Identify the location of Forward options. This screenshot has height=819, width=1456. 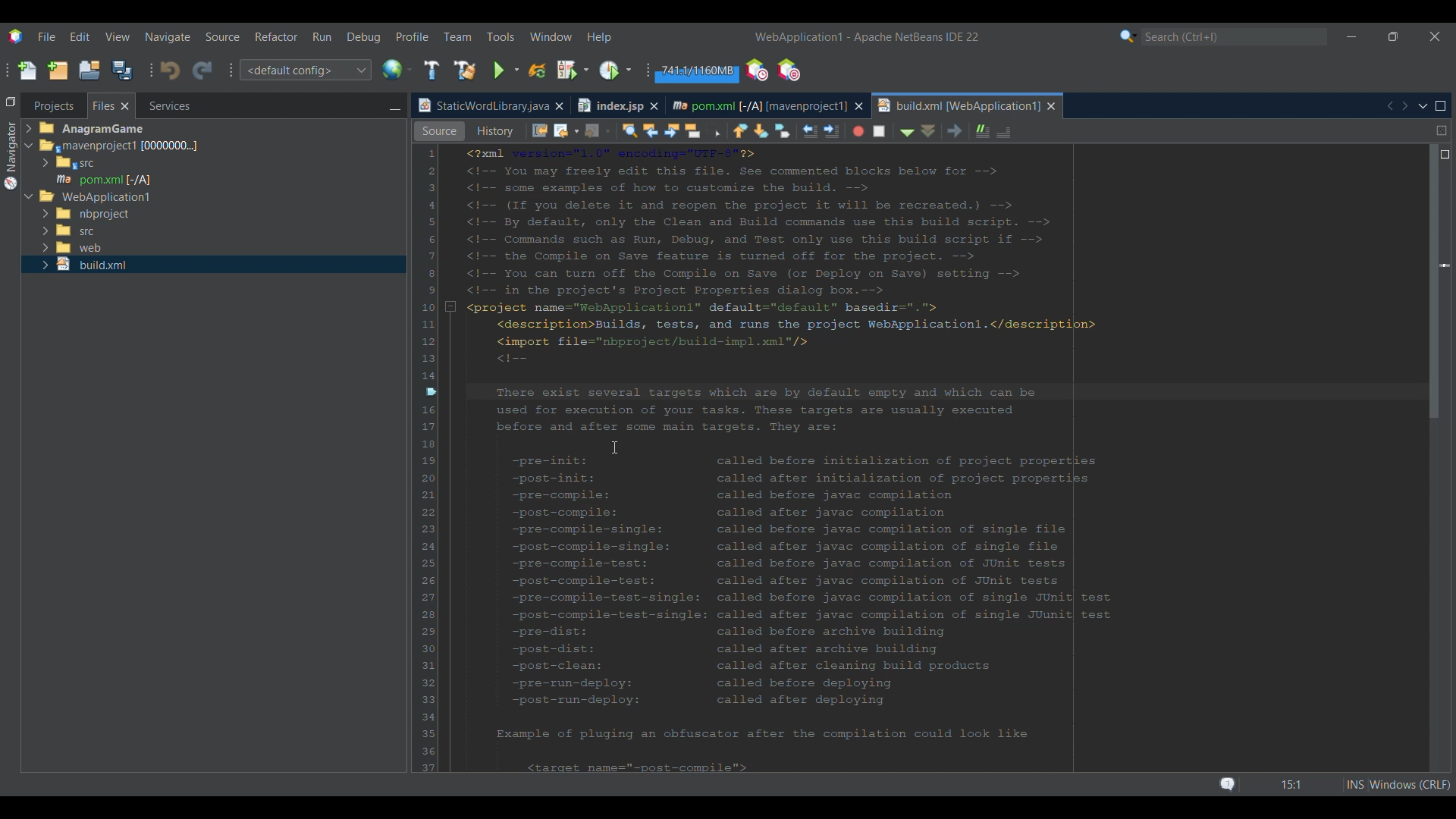
(730, 130).